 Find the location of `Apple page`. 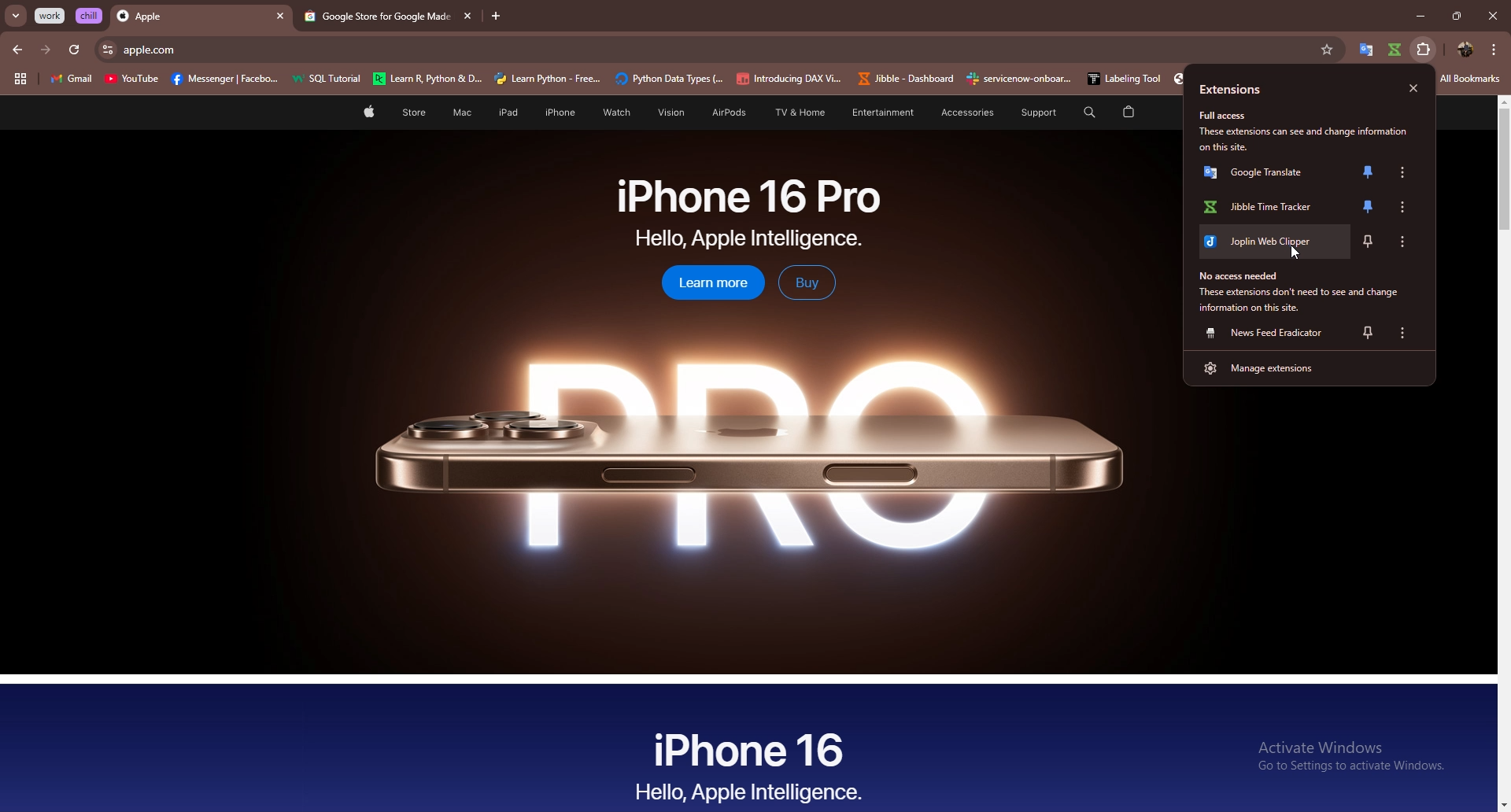

Apple page is located at coordinates (368, 114).